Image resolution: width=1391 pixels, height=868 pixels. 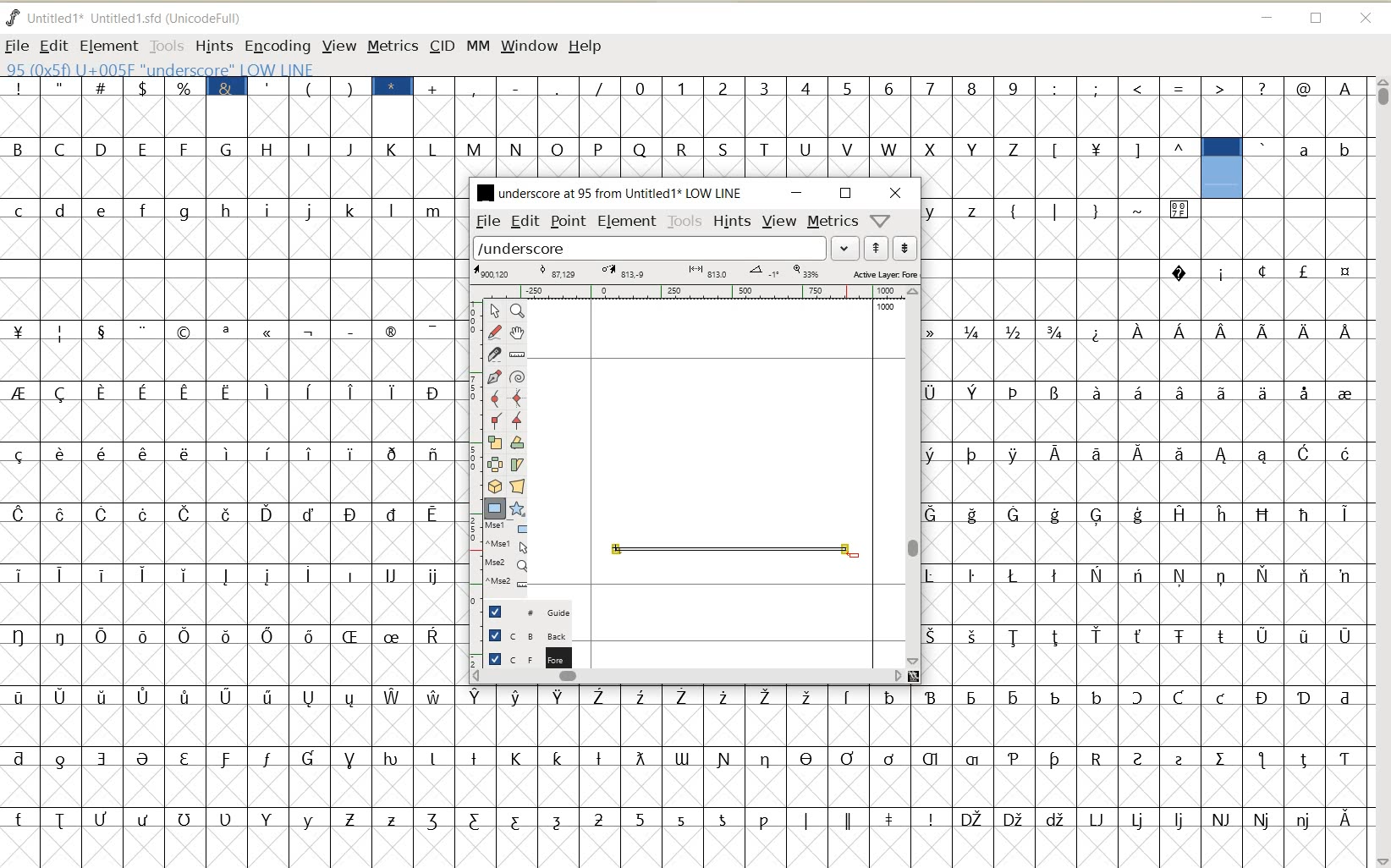 I want to click on show next word list, so click(x=905, y=248).